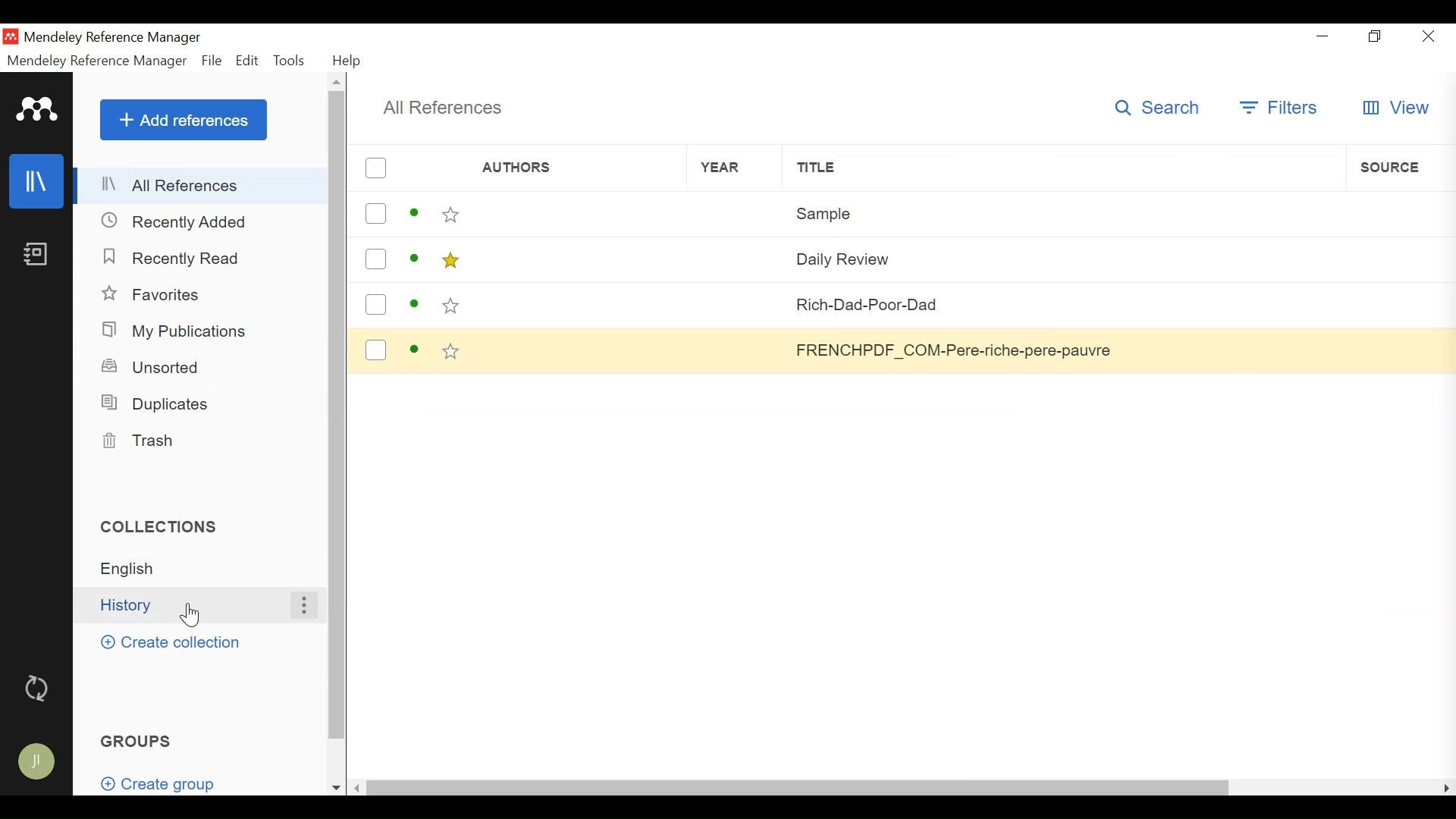 The width and height of the screenshot is (1456, 819). What do you see at coordinates (1063, 168) in the screenshot?
I see `Title` at bounding box center [1063, 168].